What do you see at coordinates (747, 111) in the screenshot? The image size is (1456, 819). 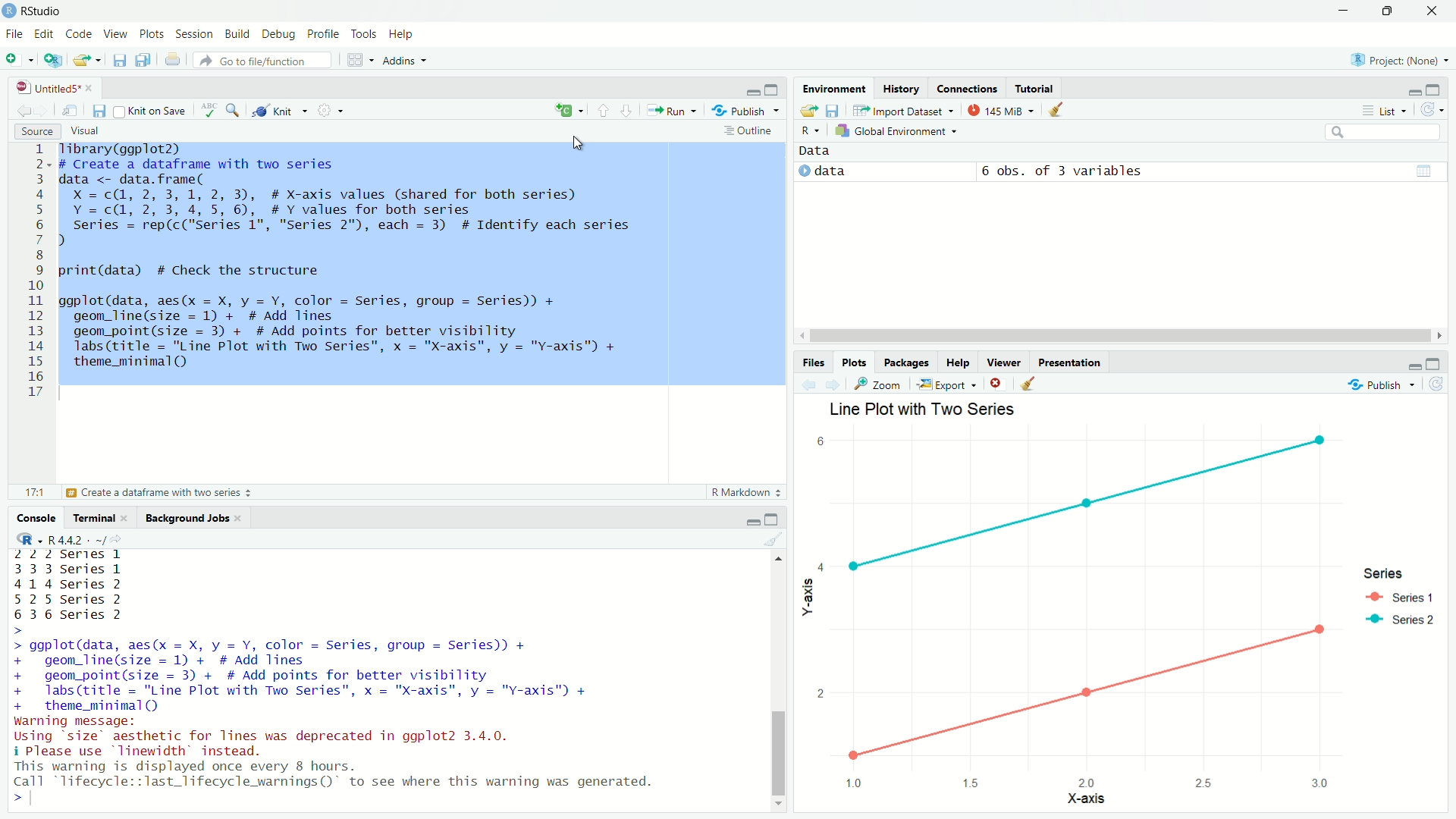 I see `Publish ` at bounding box center [747, 111].